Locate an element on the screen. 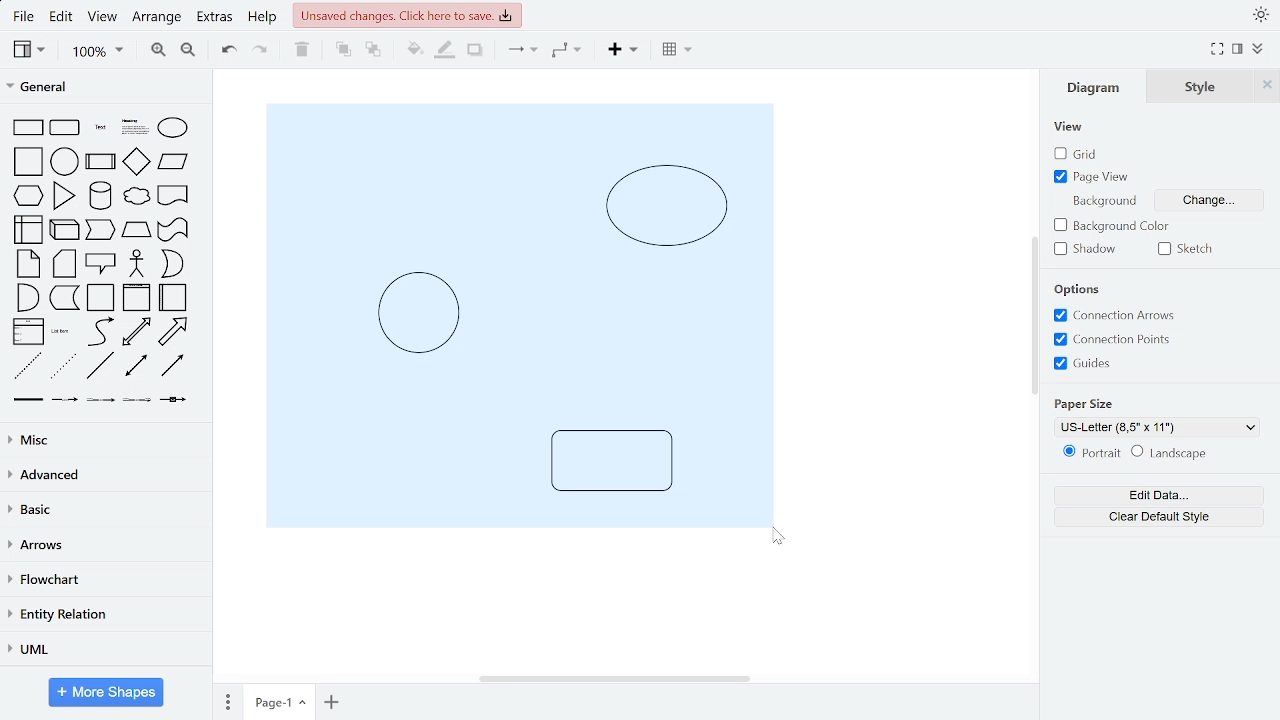 The width and height of the screenshot is (1280, 720). extras is located at coordinates (216, 19).